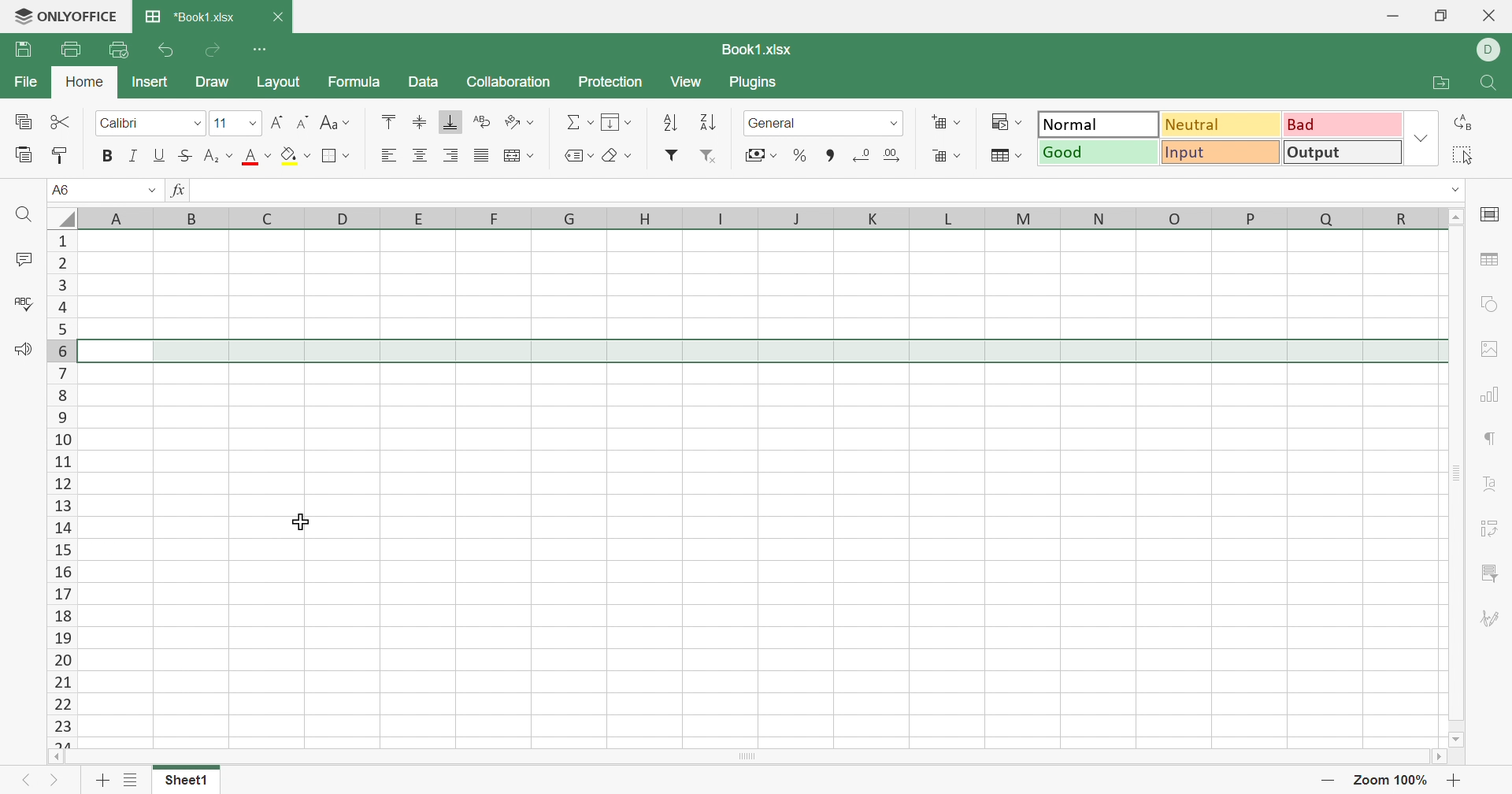 The height and width of the screenshot is (794, 1512). What do you see at coordinates (522, 119) in the screenshot?
I see `Orientation` at bounding box center [522, 119].